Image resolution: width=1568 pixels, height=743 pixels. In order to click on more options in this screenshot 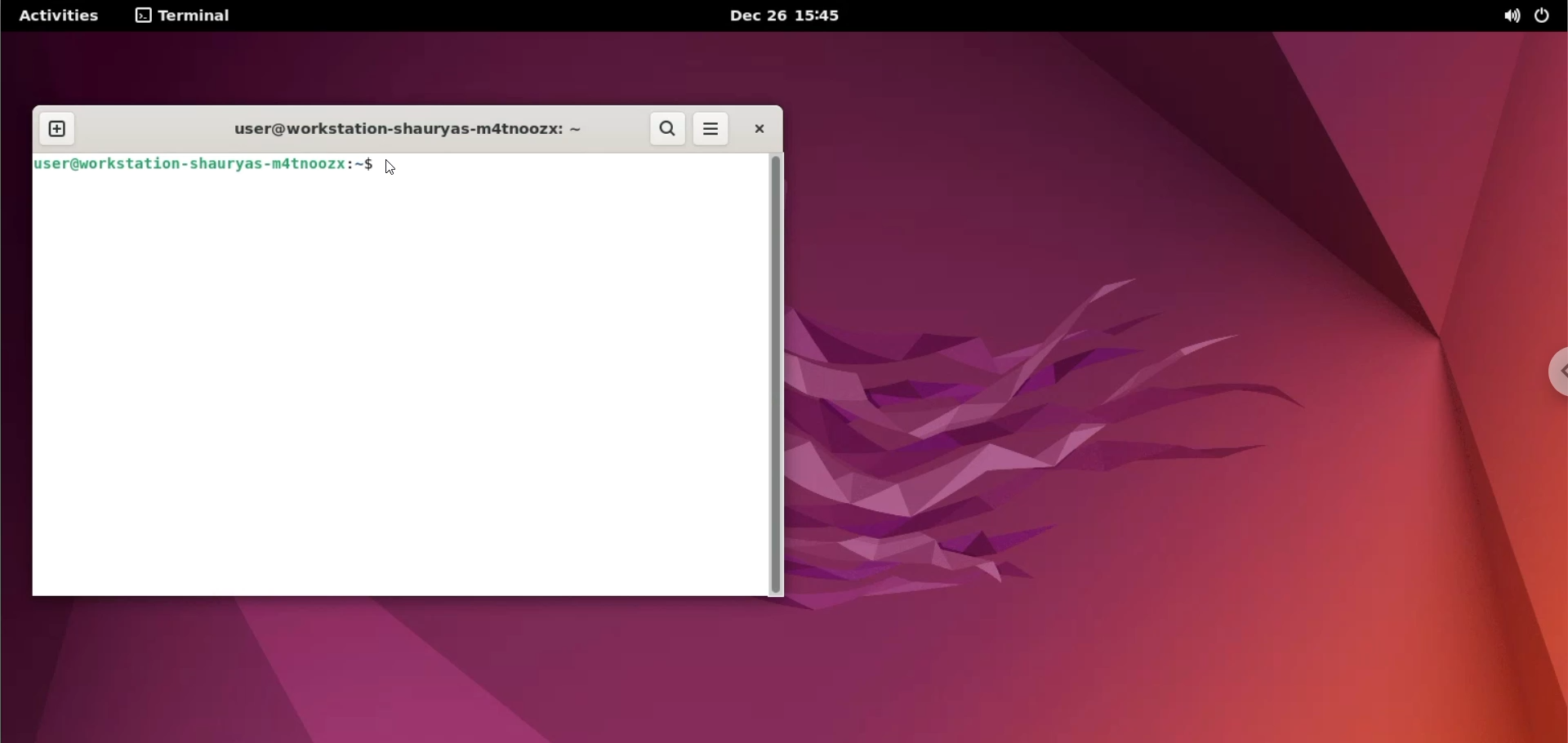, I will do `click(711, 130)`.